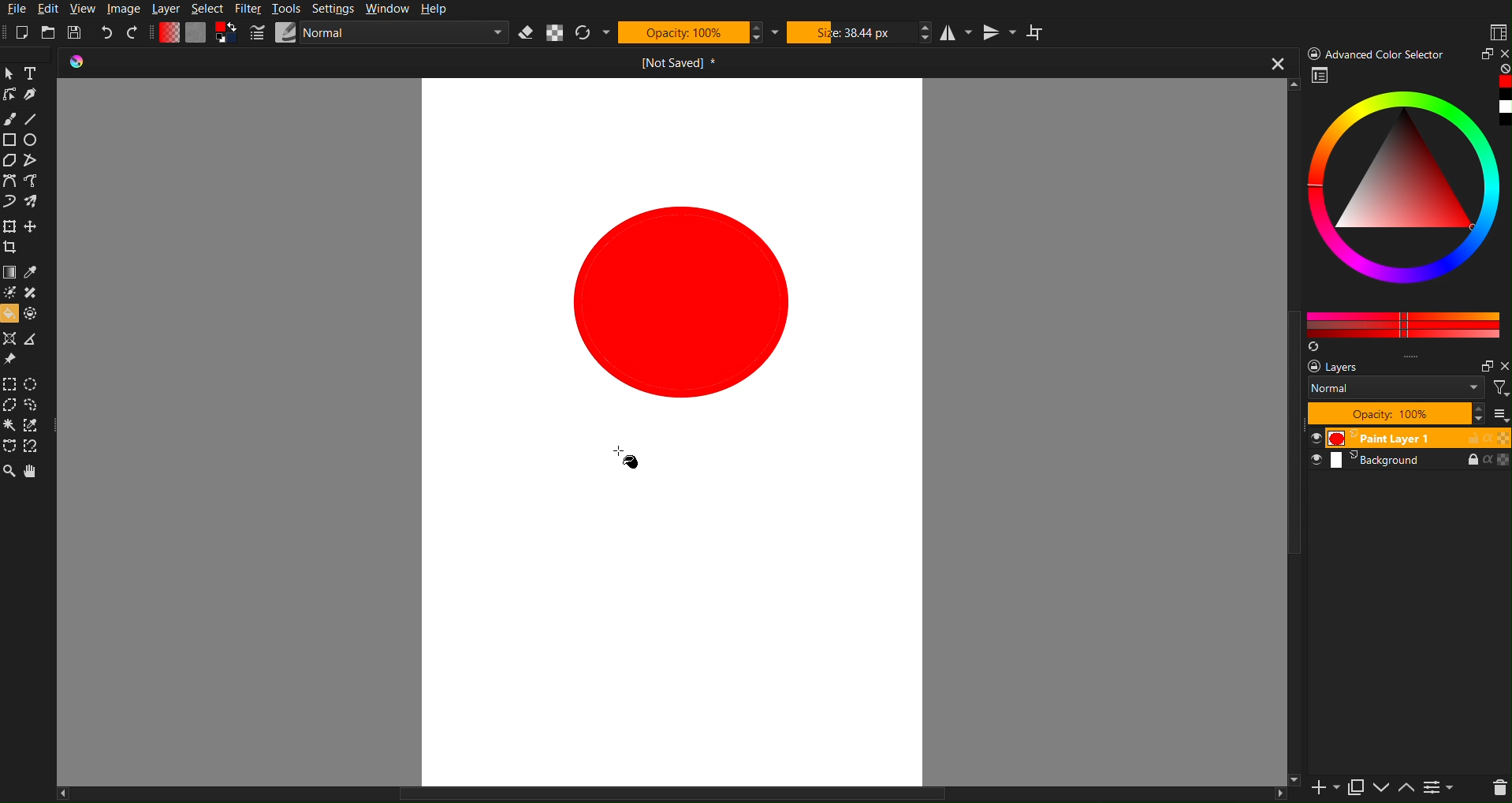  What do you see at coordinates (390, 10) in the screenshot?
I see `Window` at bounding box center [390, 10].